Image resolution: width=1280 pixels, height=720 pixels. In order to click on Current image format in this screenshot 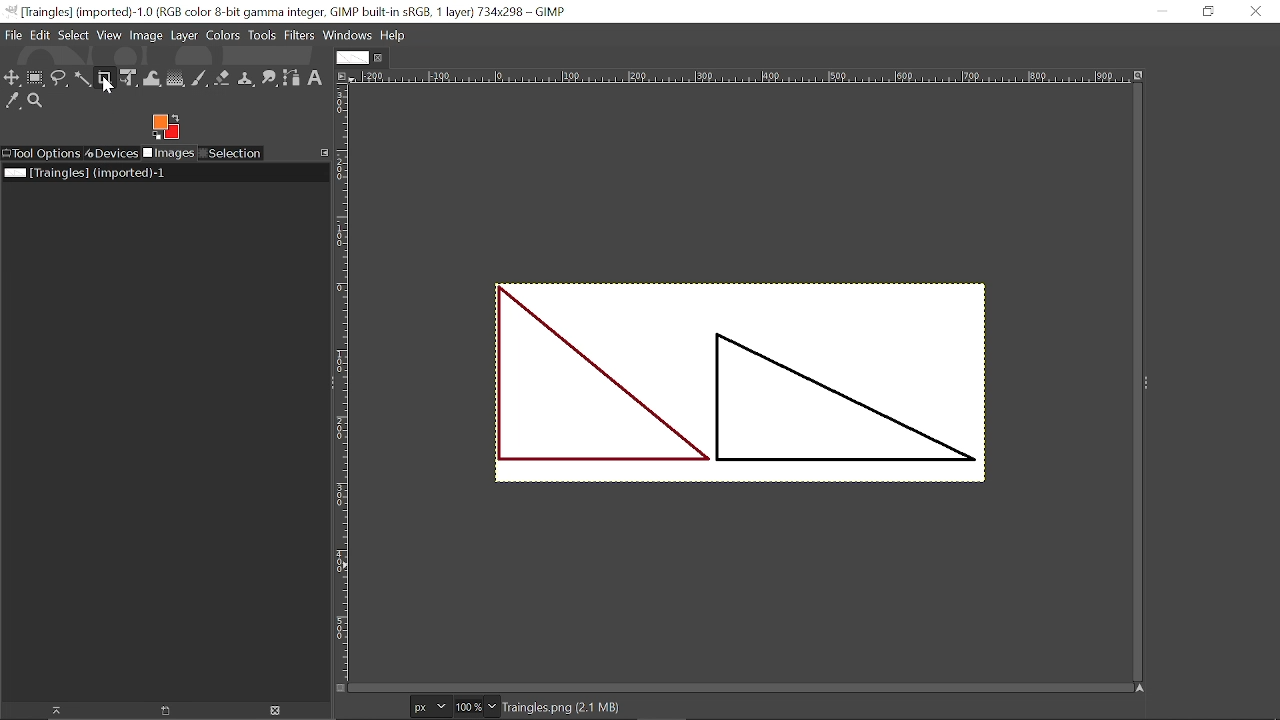, I will do `click(427, 706)`.